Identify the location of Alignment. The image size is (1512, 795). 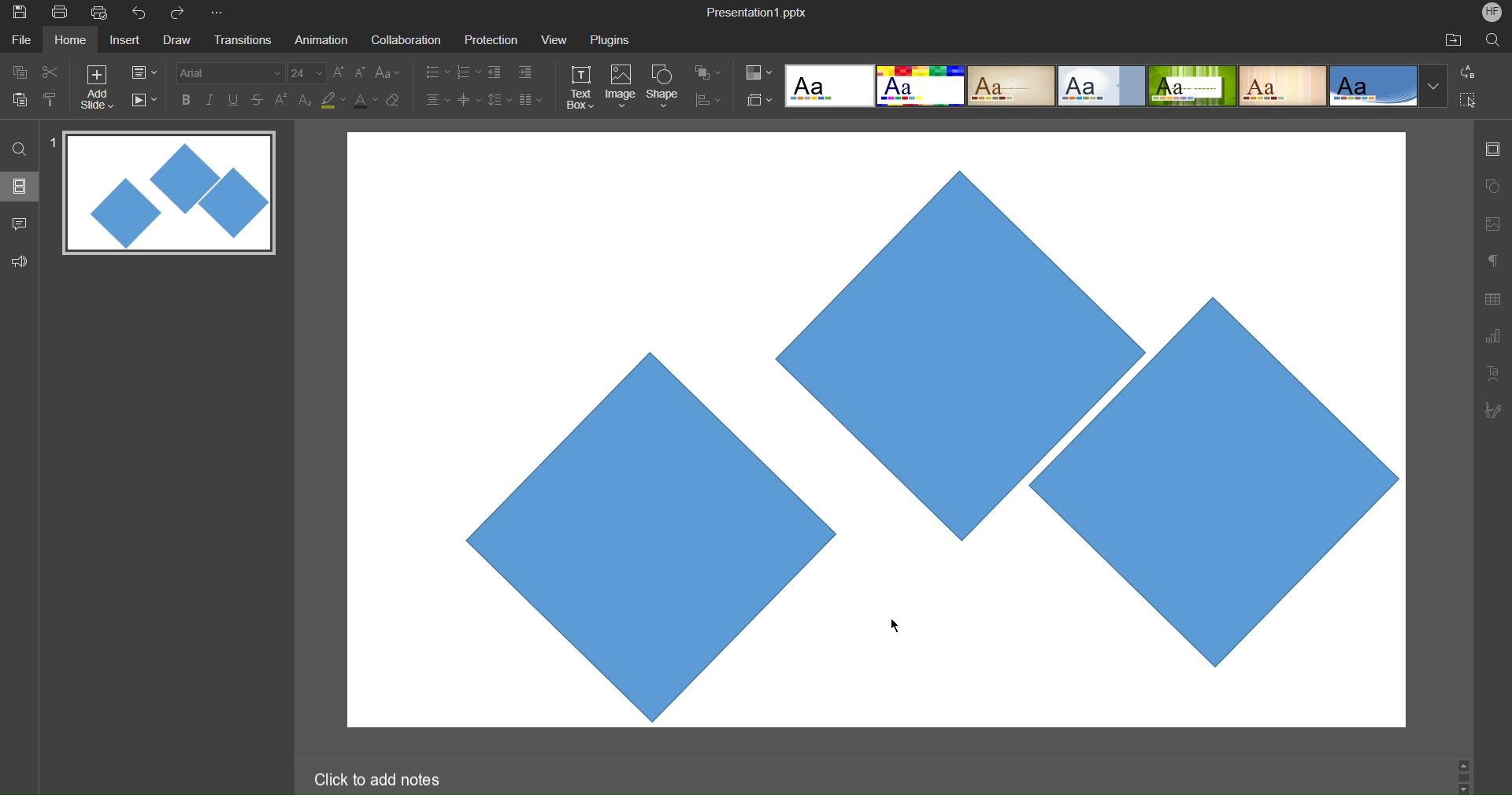
(436, 99).